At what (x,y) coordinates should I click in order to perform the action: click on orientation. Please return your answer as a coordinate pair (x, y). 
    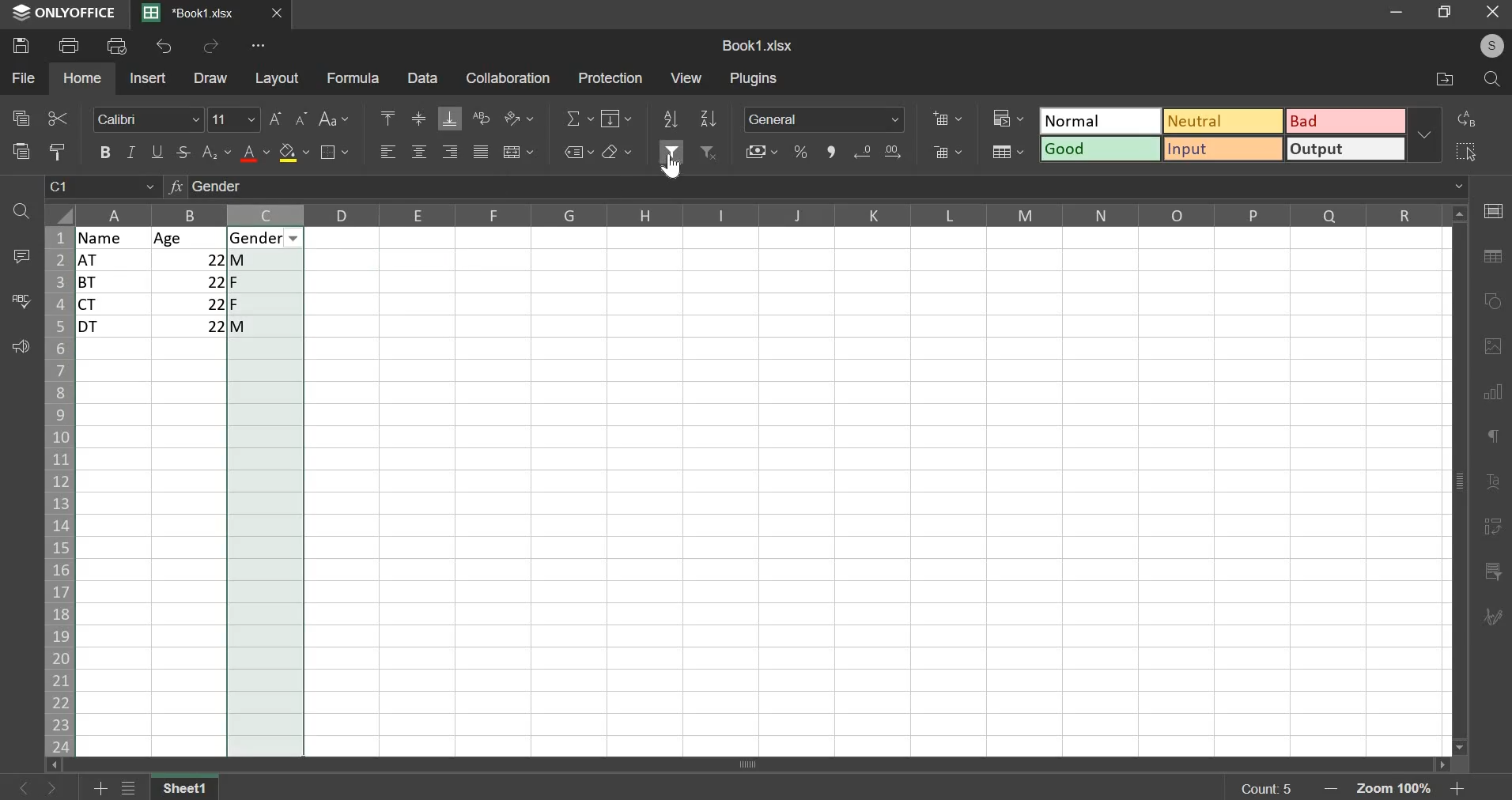
    Looking at the image, I should click on (519, 118).